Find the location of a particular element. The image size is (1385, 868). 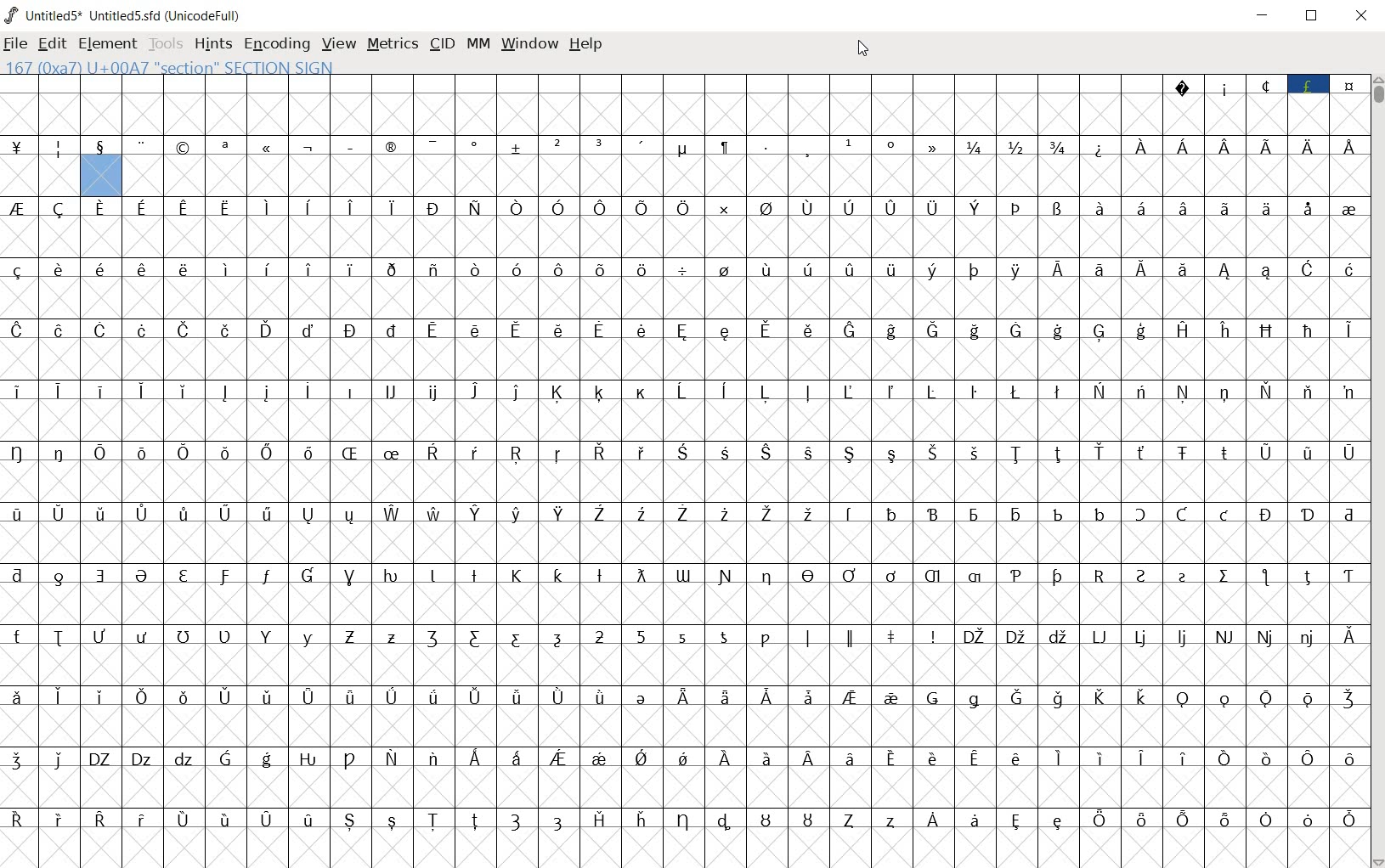

SCROLLBAR is located at coordinates (1377, 471).